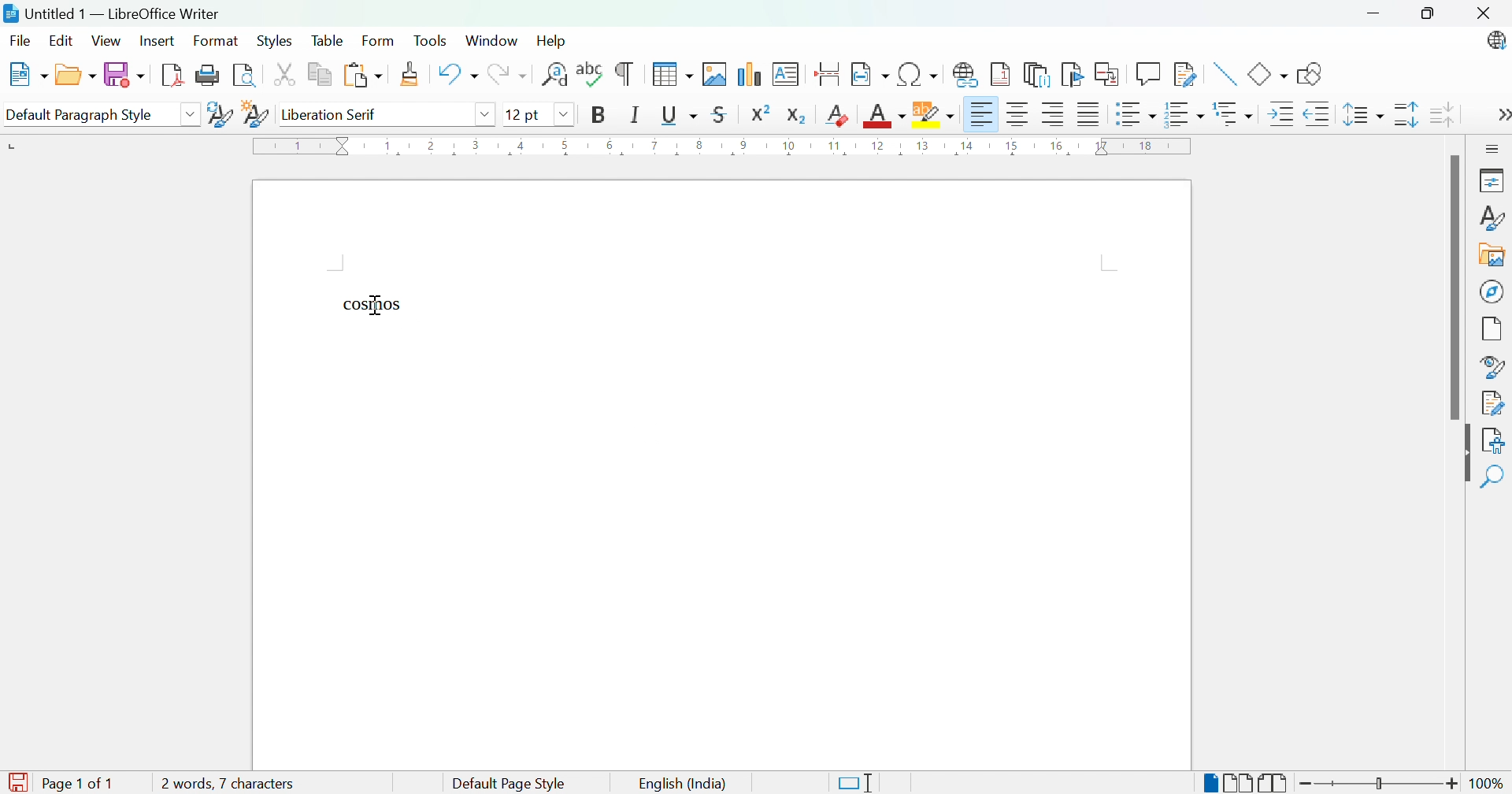 The image size is (1512, 794). I want to click on Insert footnote, so click(1002, 73).